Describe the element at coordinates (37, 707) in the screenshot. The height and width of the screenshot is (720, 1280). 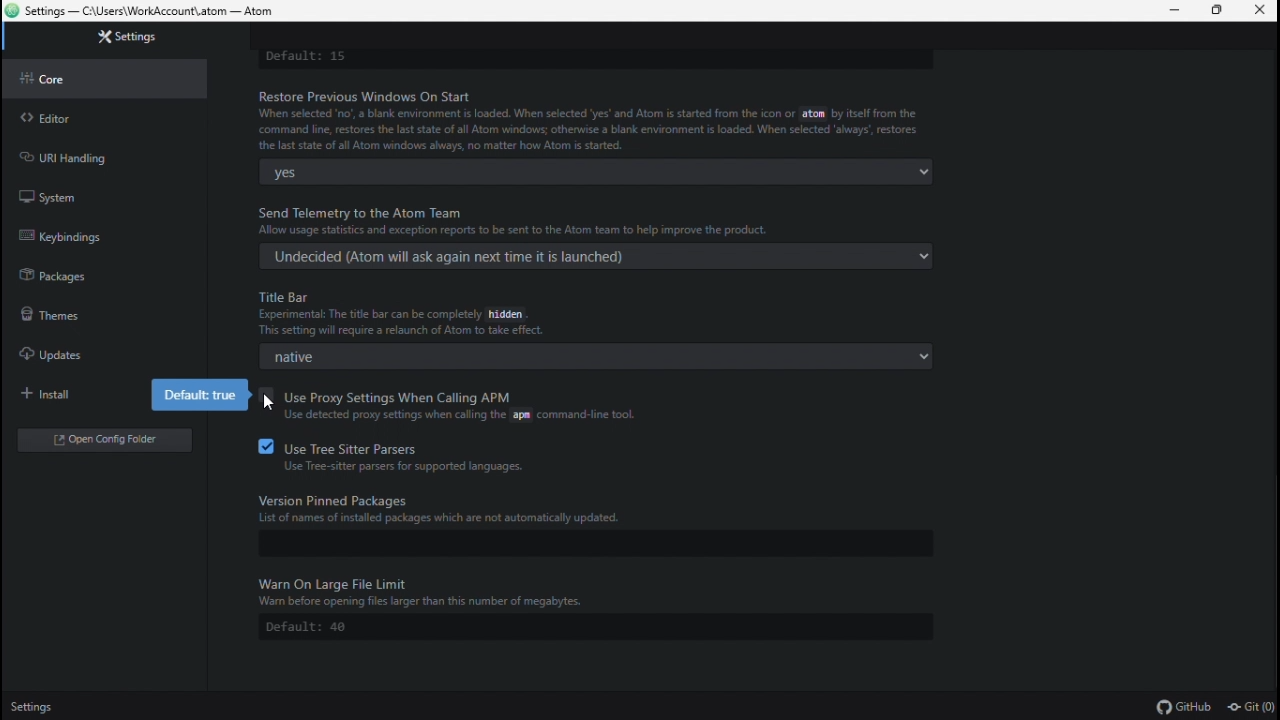
I see `Settings` at that location.